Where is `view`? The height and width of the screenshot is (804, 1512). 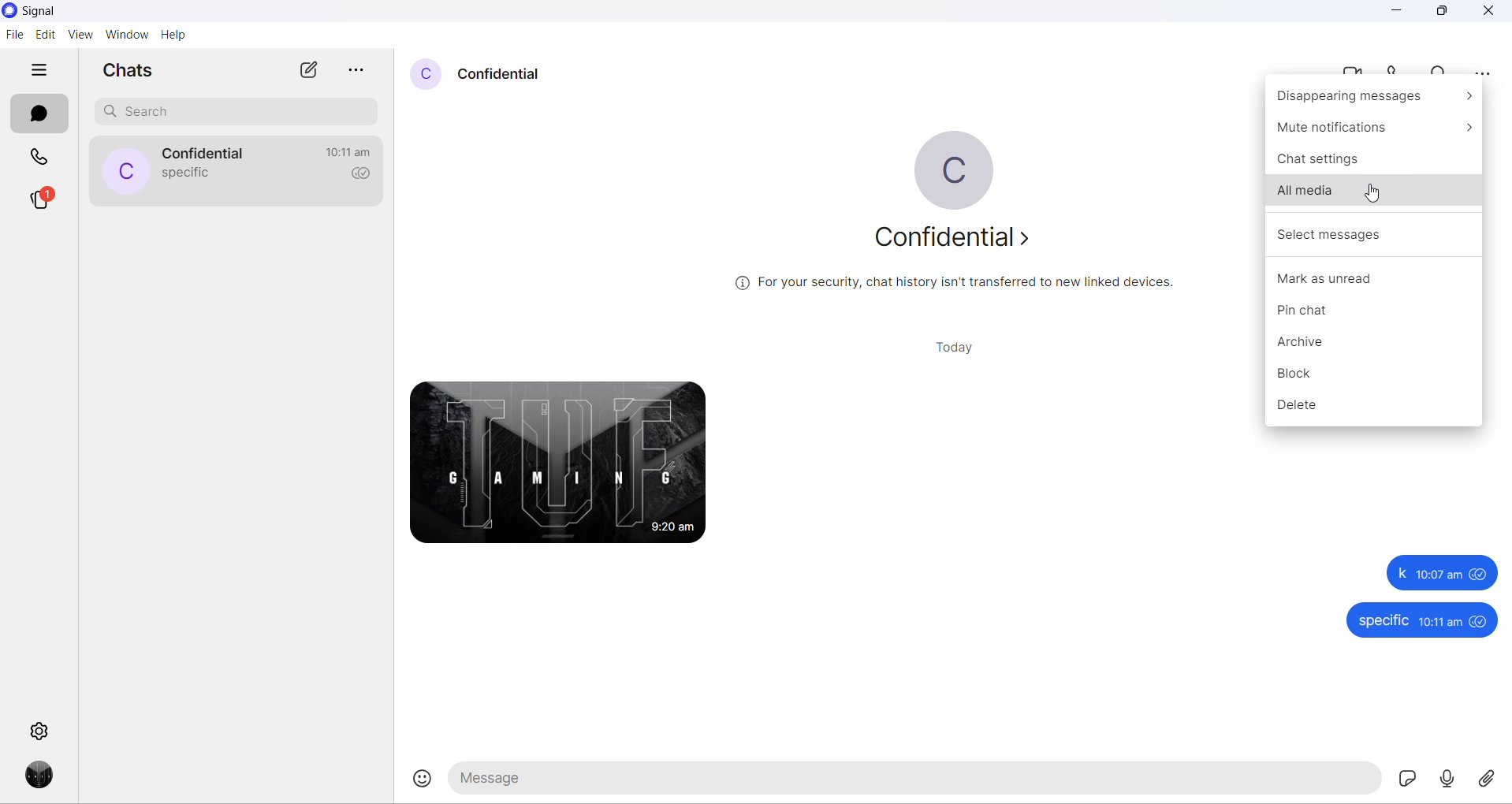 view is located at coordinates (78, 36).